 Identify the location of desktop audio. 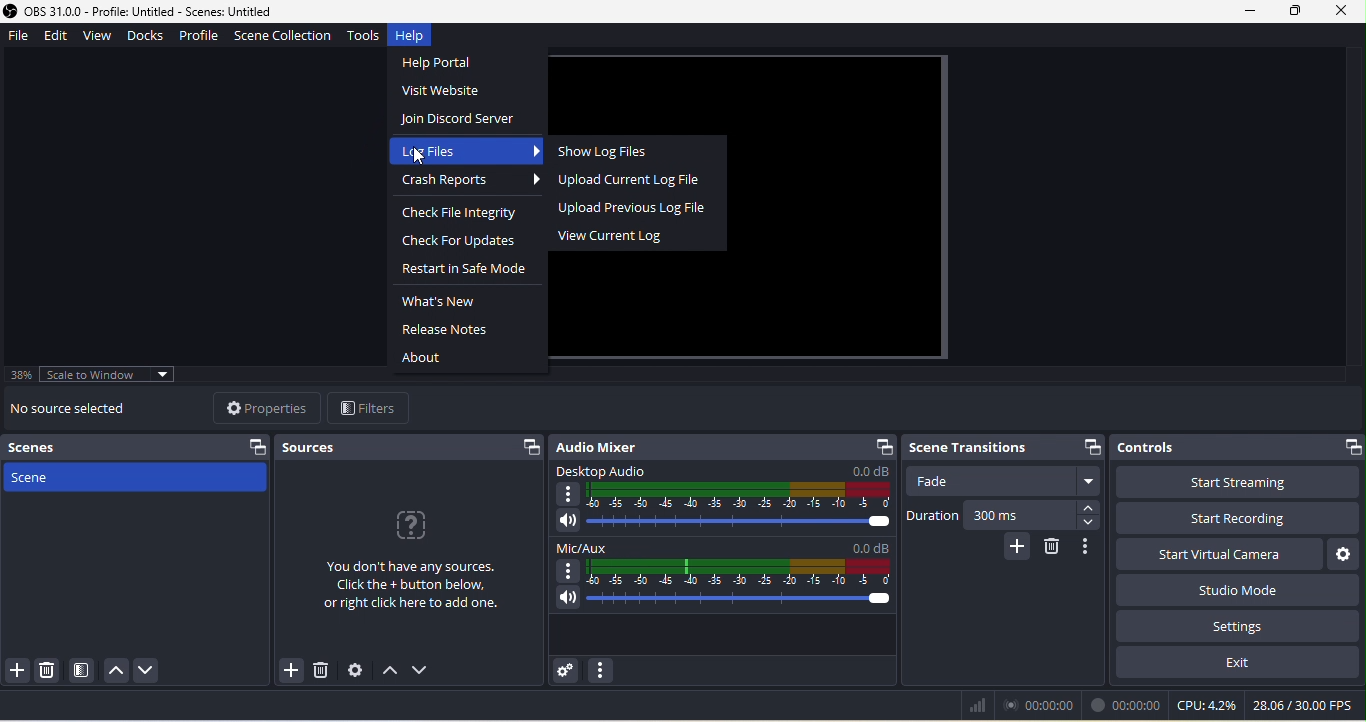
(719, 487).